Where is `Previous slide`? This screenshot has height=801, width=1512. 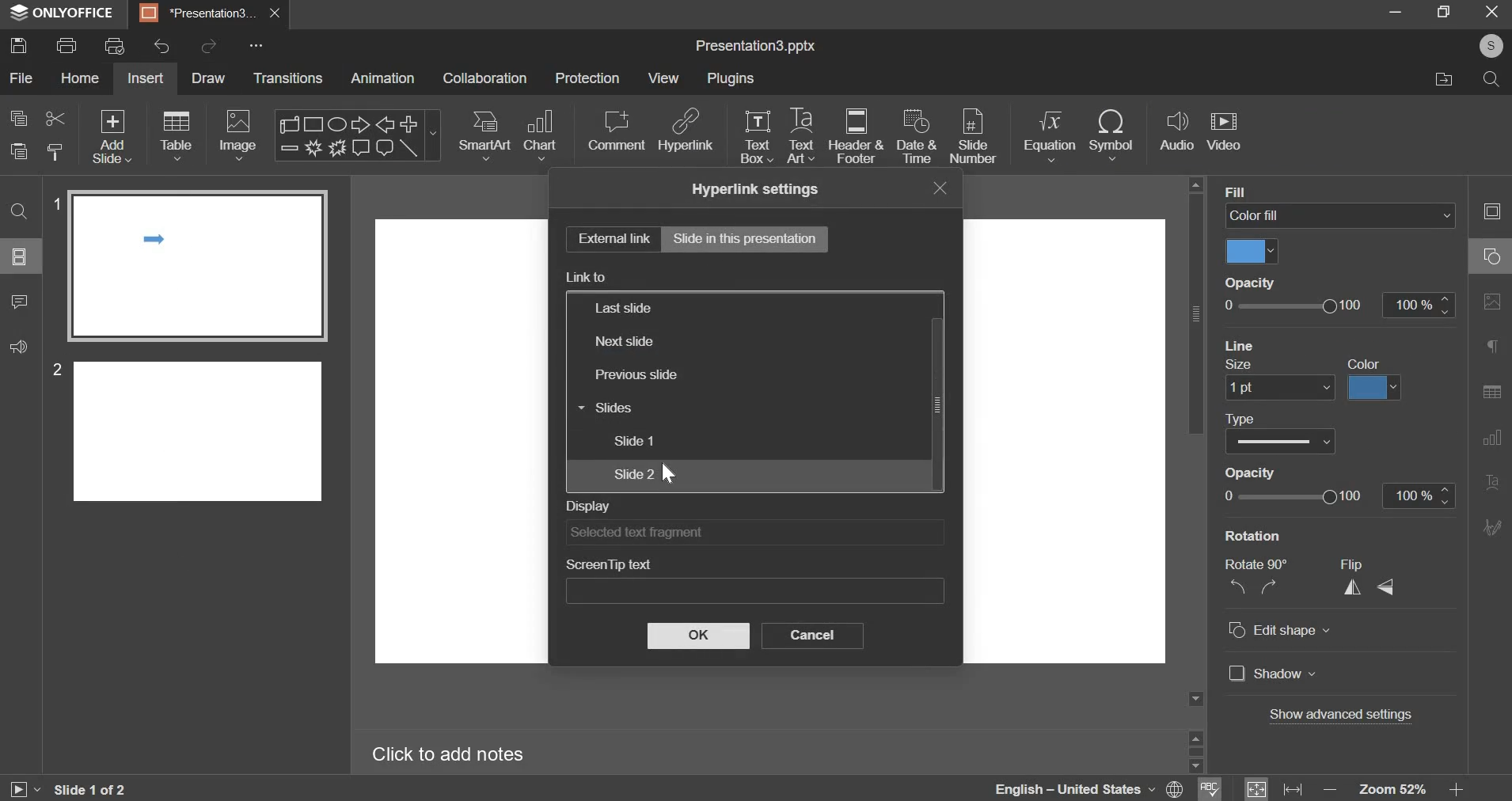
Previous slide is located at coordinates (655, 377).